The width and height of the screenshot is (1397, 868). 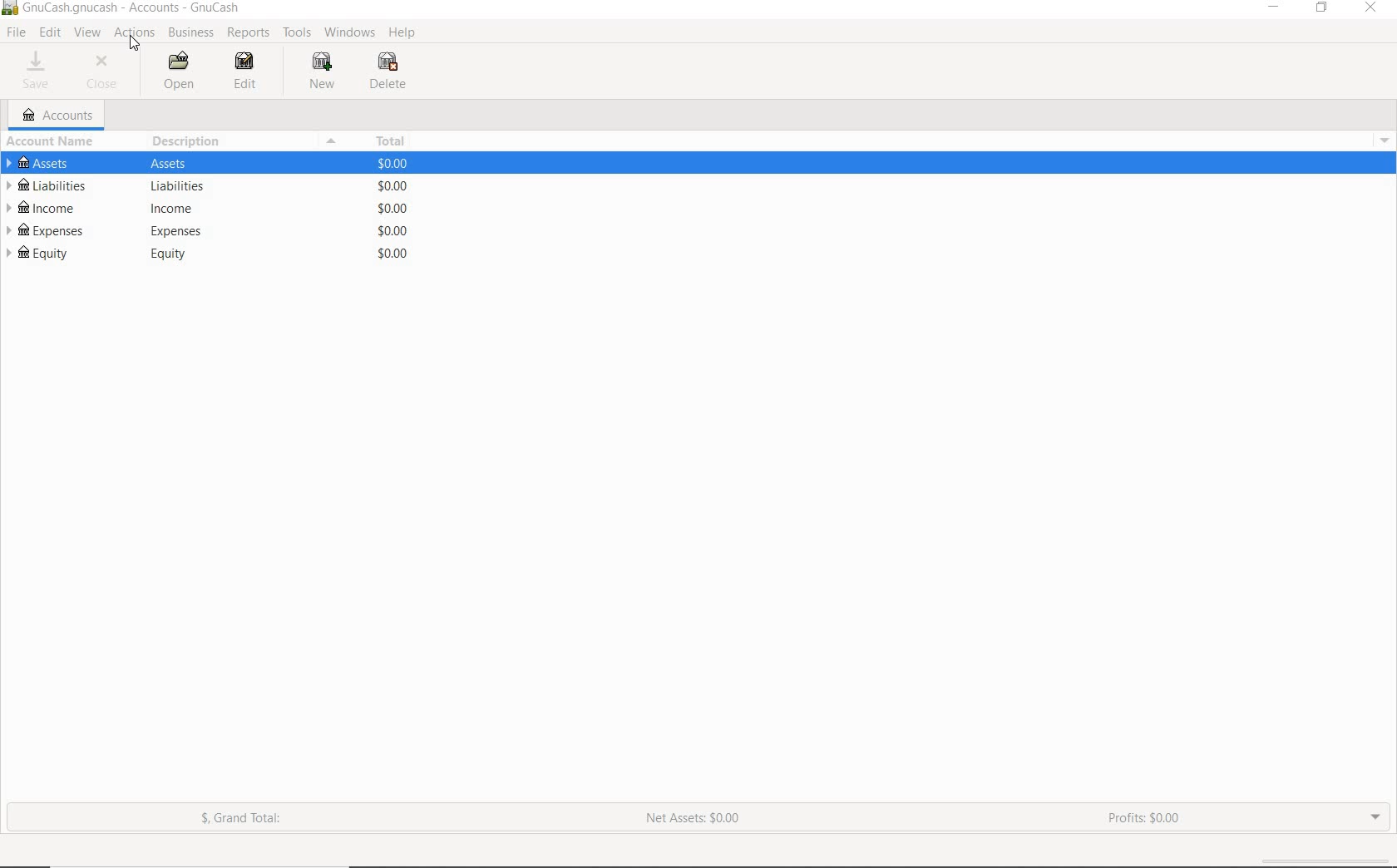 What do you see at coordinates (402, 32) in the screenshot?
I see `HELP` at bounding box center [402, 32].